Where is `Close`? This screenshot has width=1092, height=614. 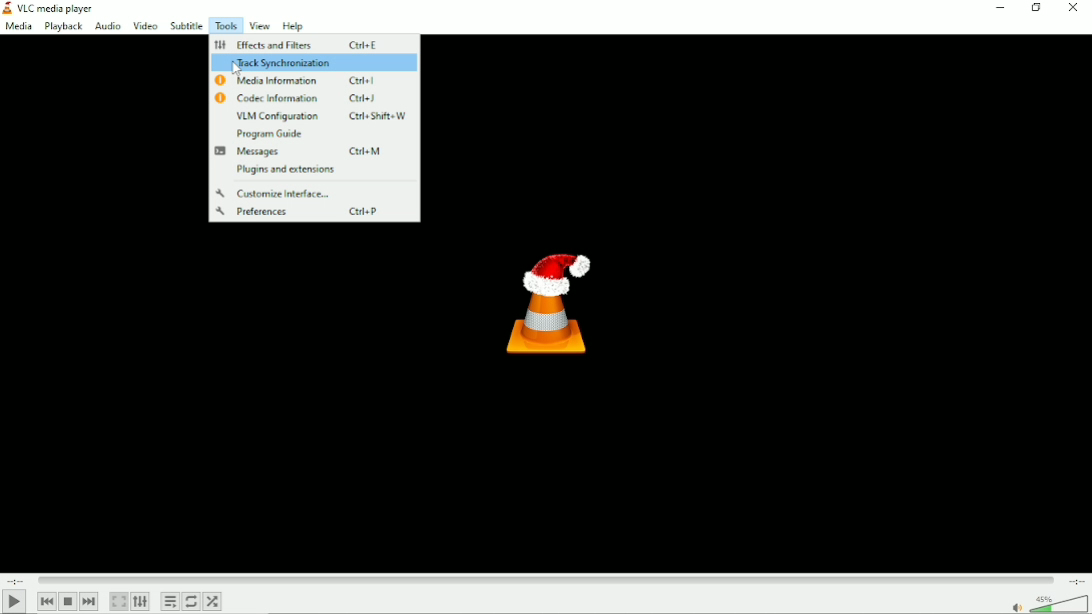 Close is located at coordinates (1071, 8).